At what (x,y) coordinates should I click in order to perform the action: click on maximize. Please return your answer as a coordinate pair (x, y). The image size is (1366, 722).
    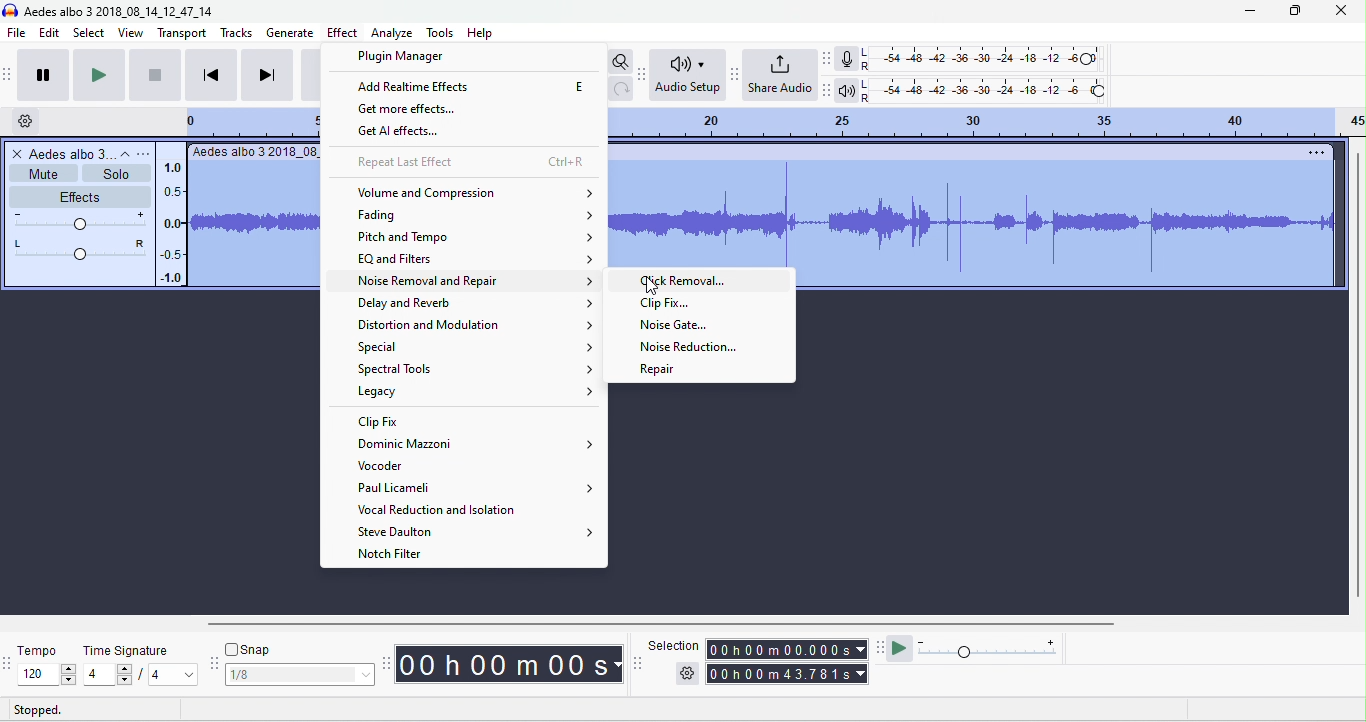
    Looking at the image, I should click on (1294, 10).